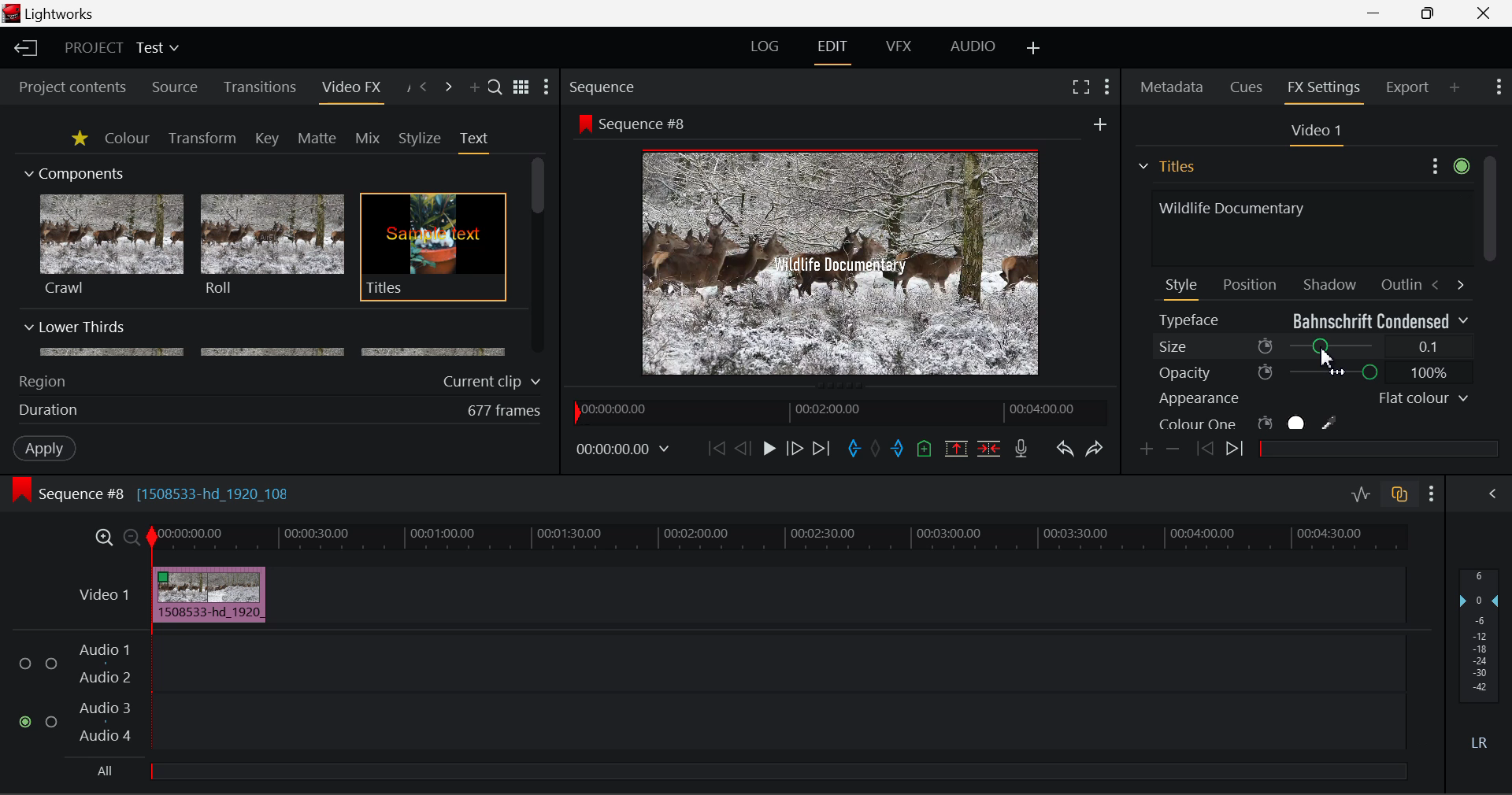 This screenshot has width=1512, height=795. I want to click on Undo, so click(1065, 450).